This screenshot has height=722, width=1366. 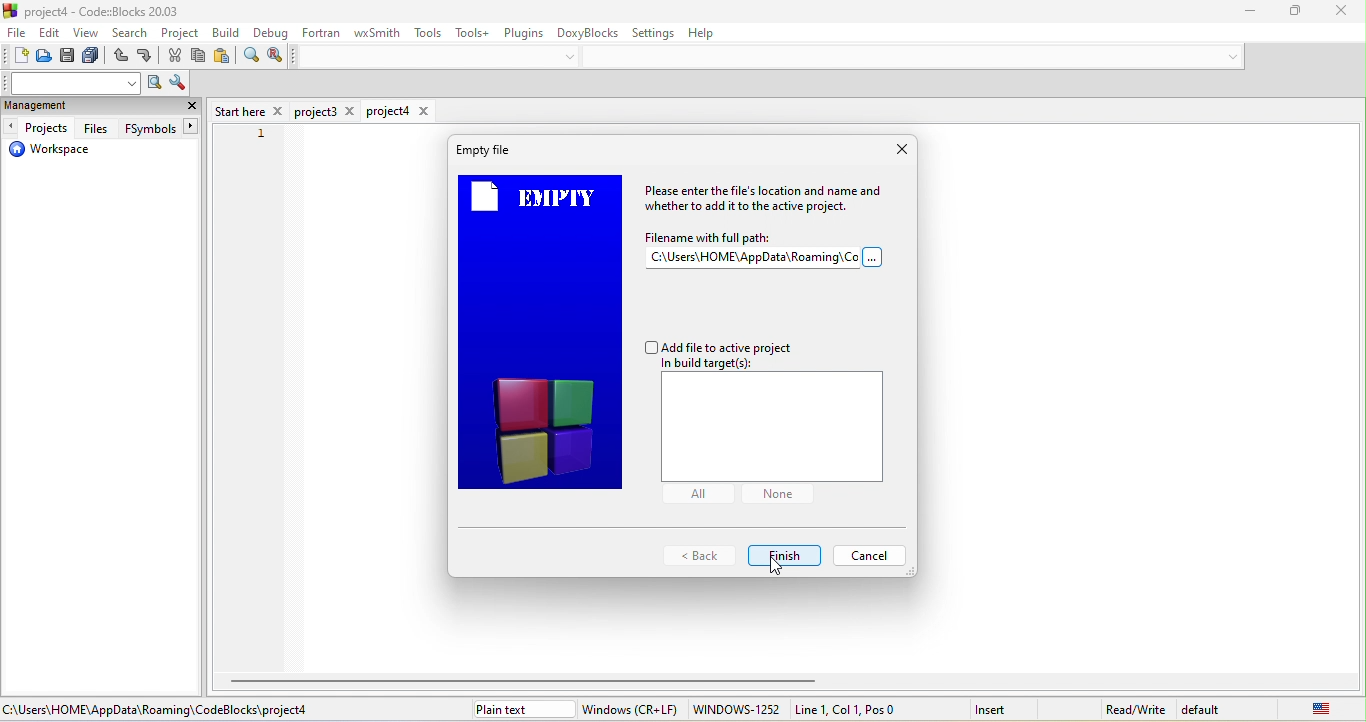 I want to click on Finish, so click(x=787, y=554).